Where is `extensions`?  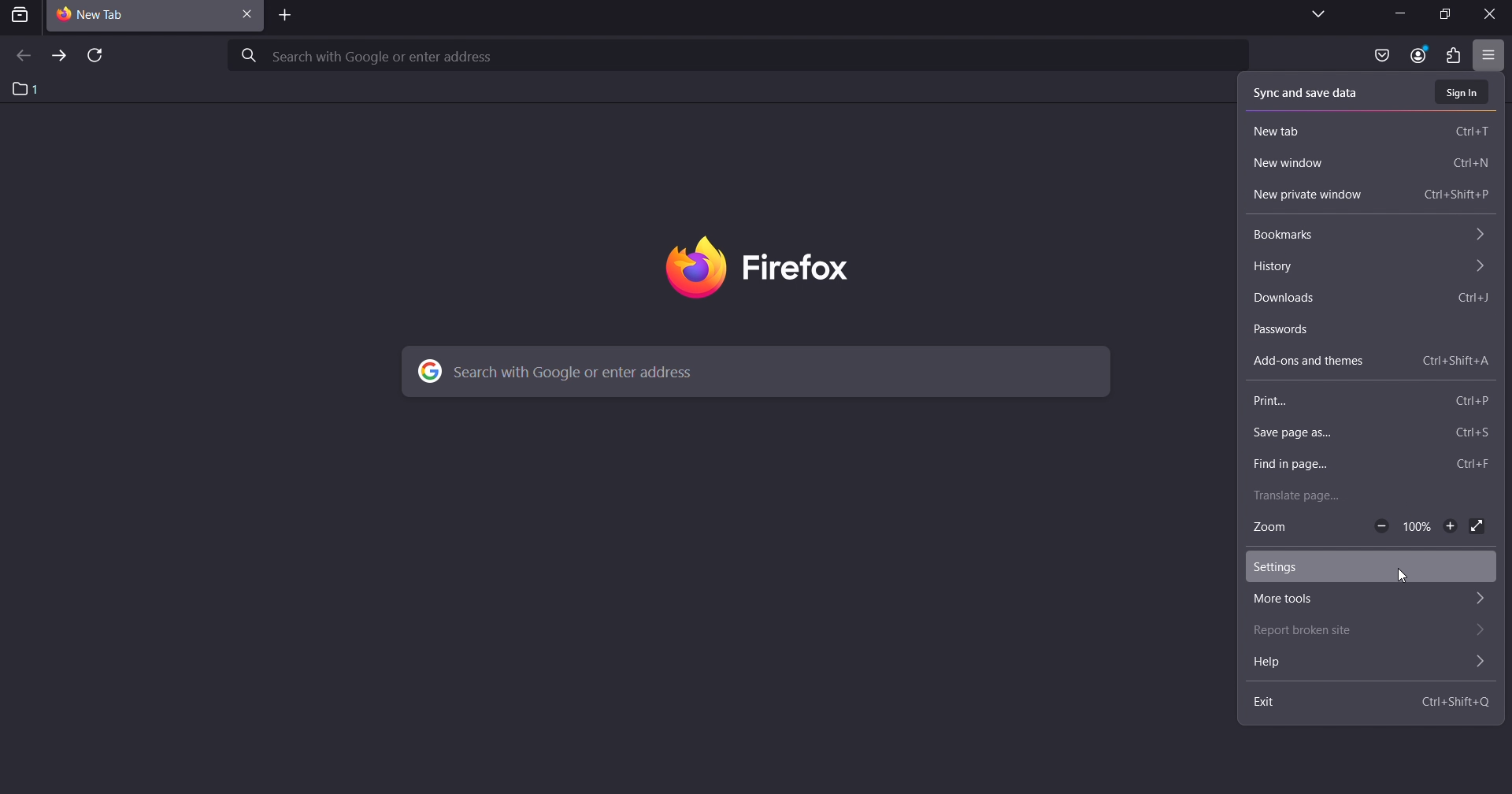
extensions is located at coordinates (1451, 56).